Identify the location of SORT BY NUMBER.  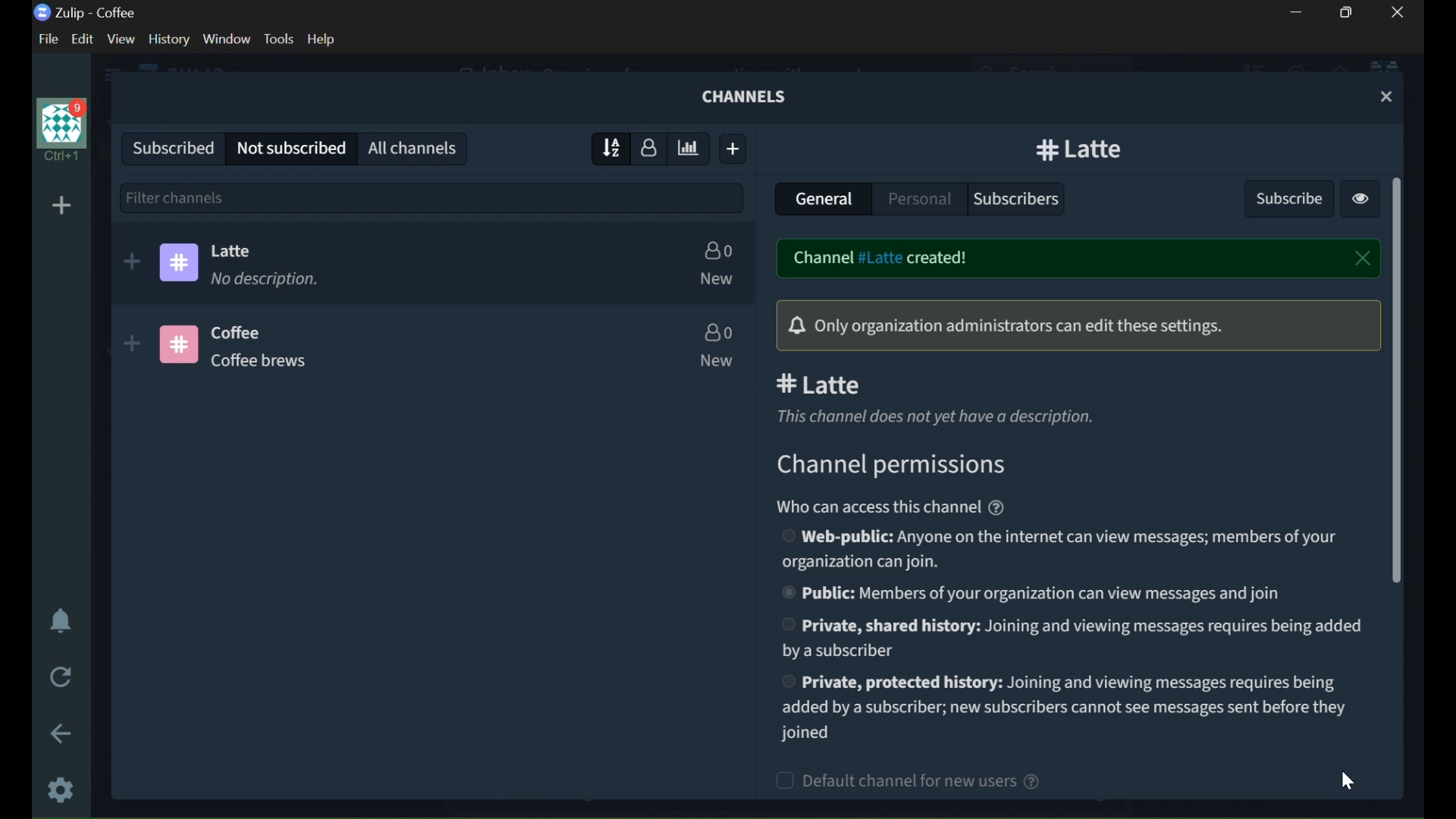
(650, 147).